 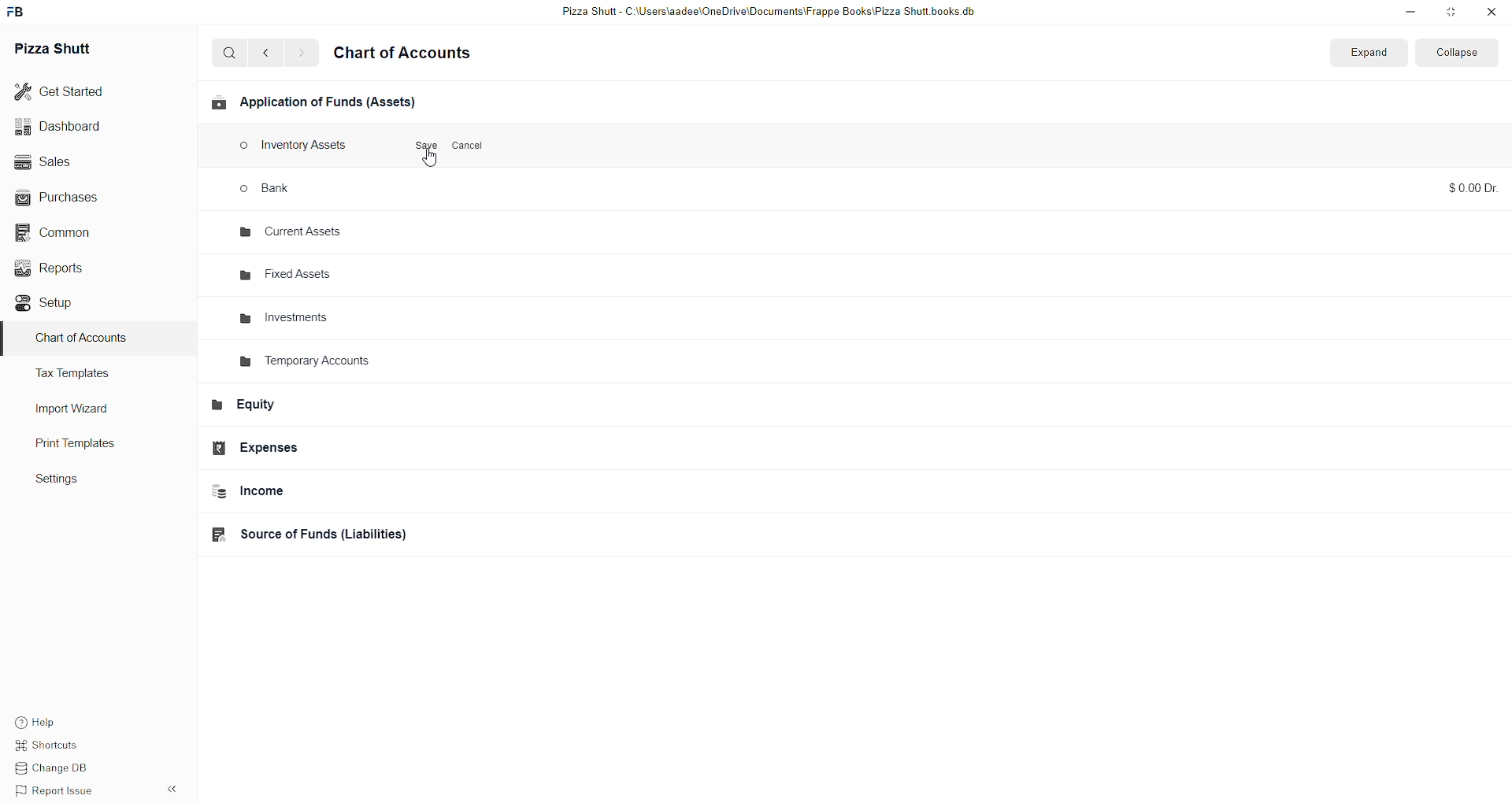 I want to click on Dashboard , so click(x=69, y=128).